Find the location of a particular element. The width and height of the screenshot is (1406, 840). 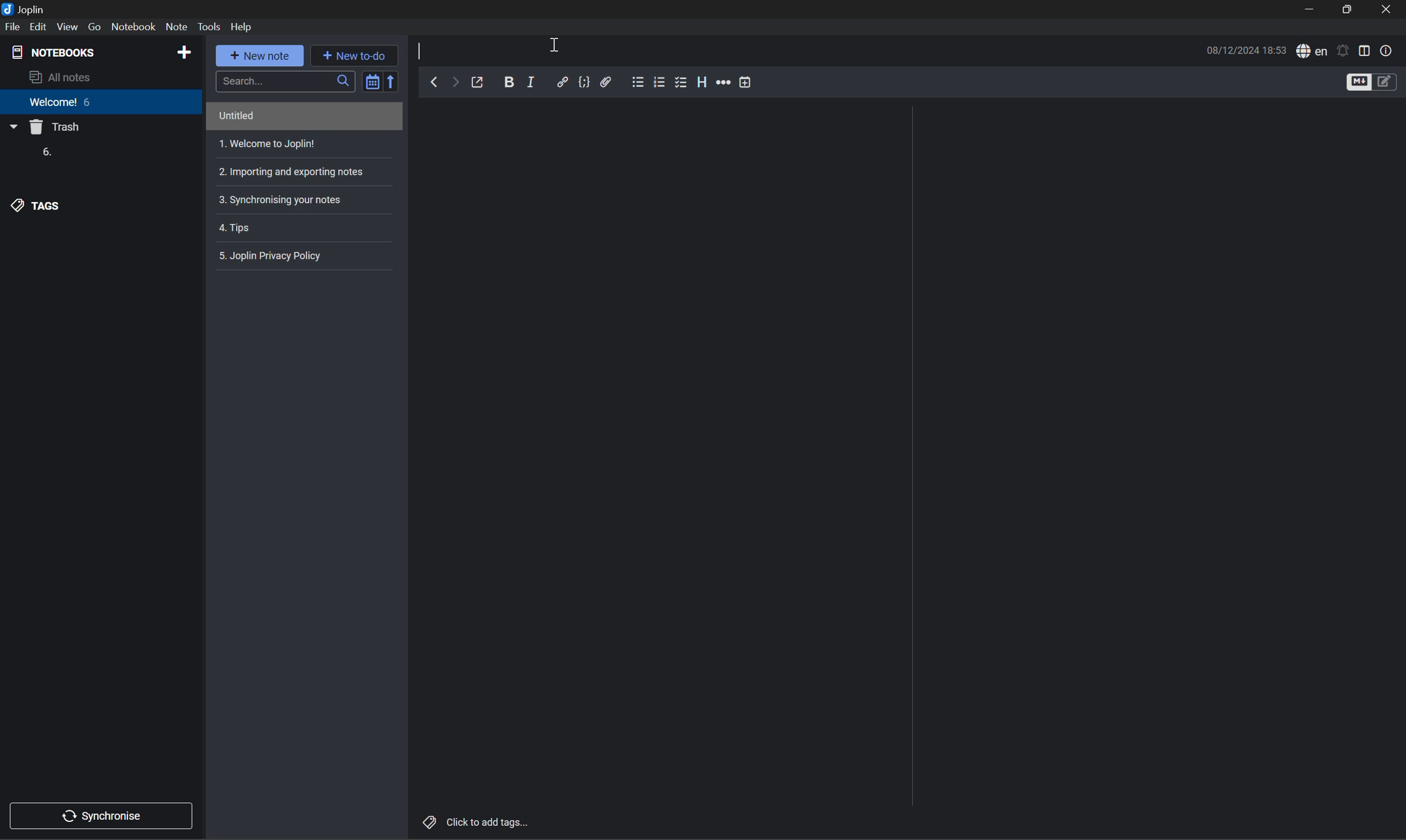

3. Synchronising your notes is located at coordinates (283, 199).